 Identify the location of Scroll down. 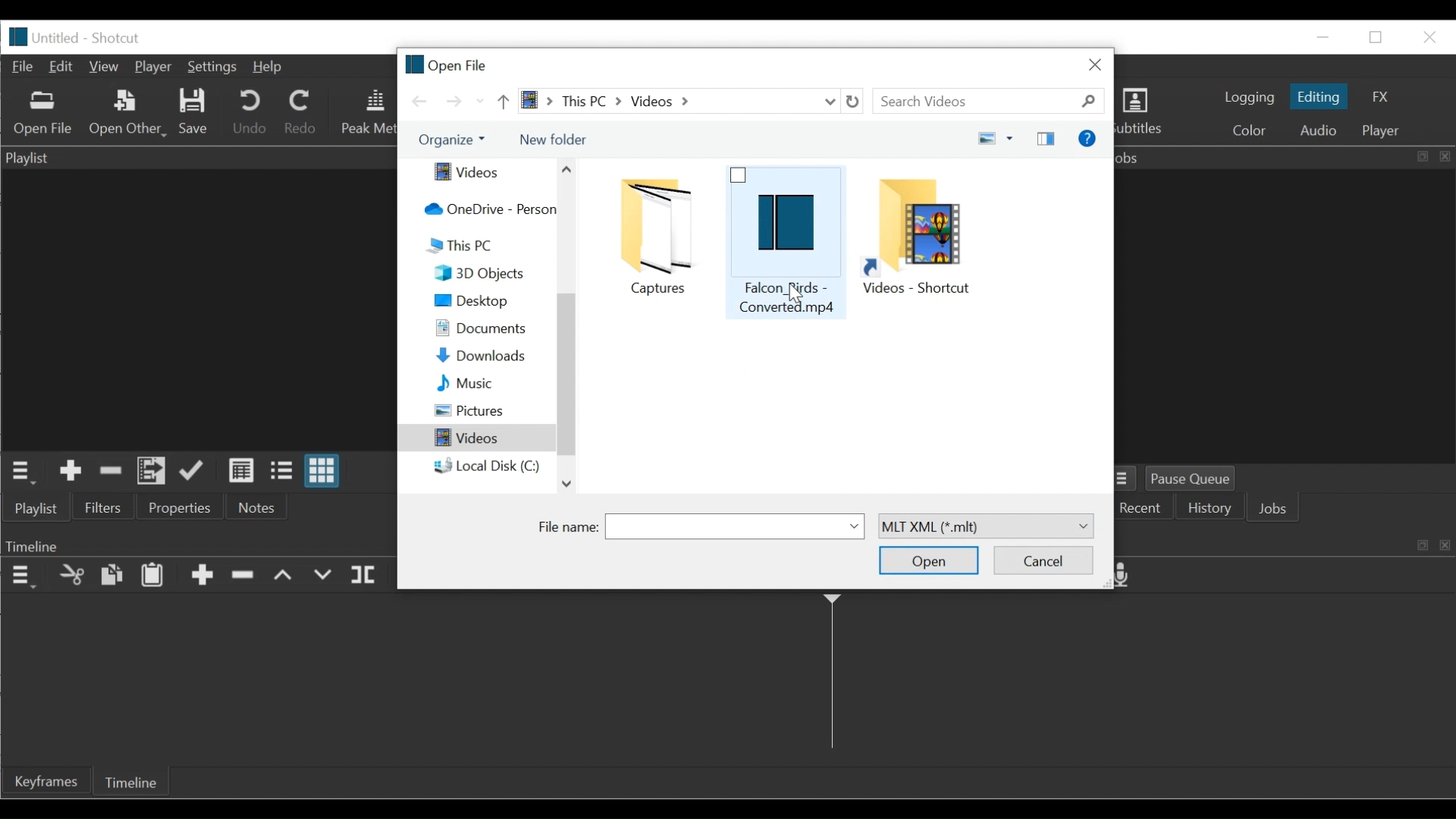
(565, 483).